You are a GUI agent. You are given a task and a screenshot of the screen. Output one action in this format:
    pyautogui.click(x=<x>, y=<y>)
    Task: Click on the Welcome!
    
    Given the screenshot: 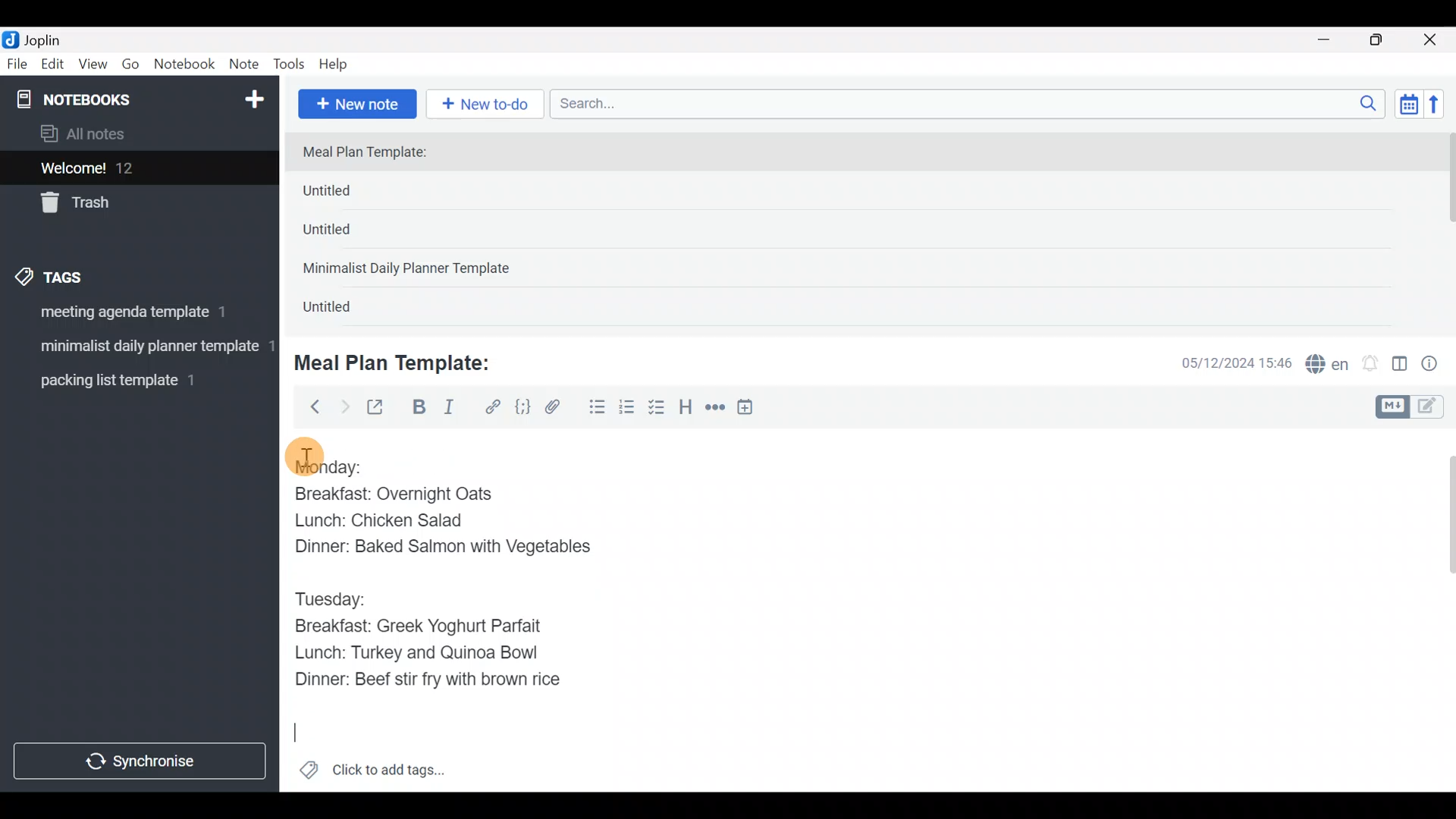 What is the action you would take?
    pyautogui.click(x=137, y=169)
    